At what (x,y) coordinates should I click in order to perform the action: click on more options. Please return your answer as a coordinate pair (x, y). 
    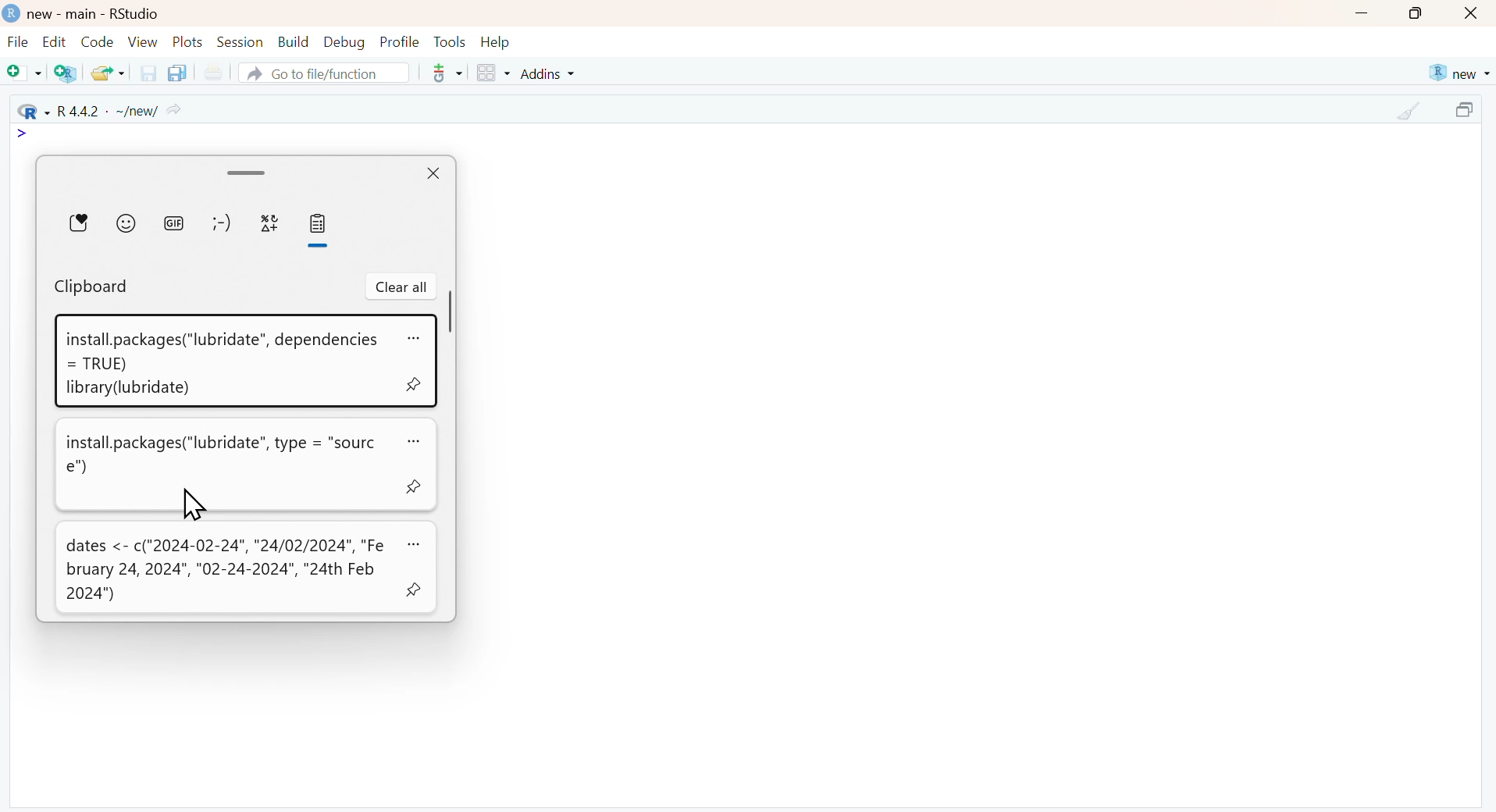
    Looking at the image, I should click on (411, 440).